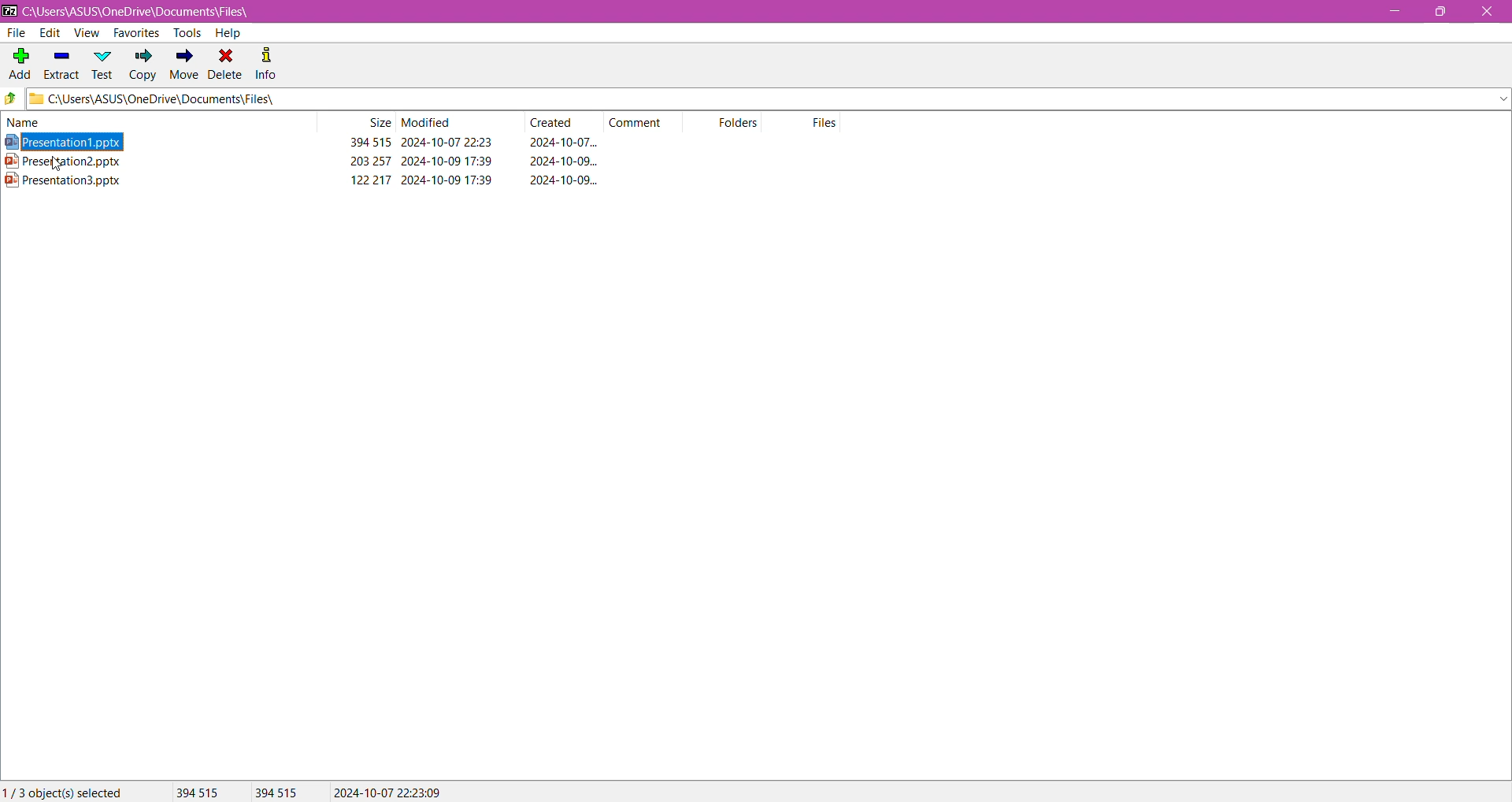 Image resolution: width=1512 pixels, height=802 pixels. I want to click on Files, so click(827, 122).